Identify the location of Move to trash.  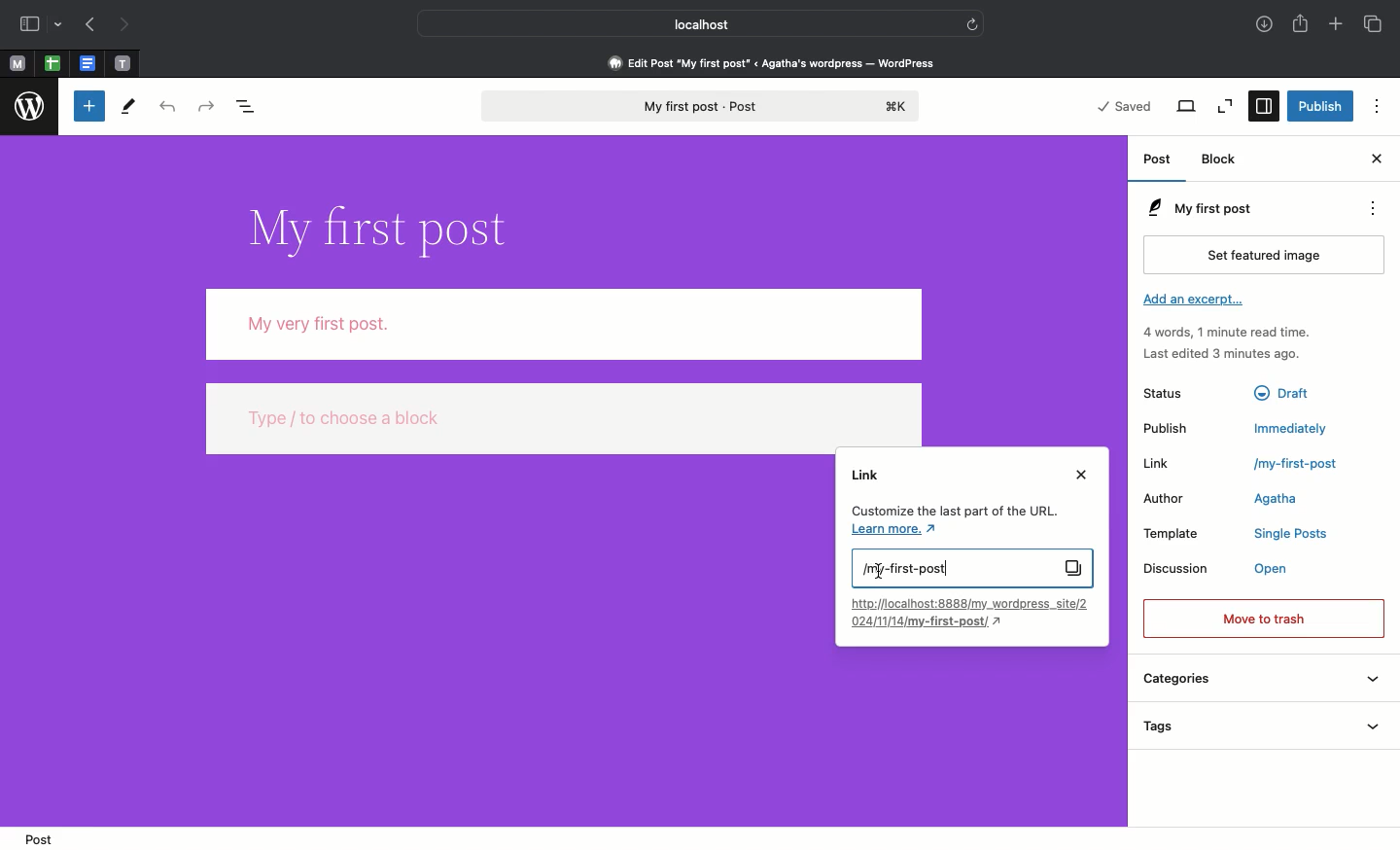
(1264, 620).